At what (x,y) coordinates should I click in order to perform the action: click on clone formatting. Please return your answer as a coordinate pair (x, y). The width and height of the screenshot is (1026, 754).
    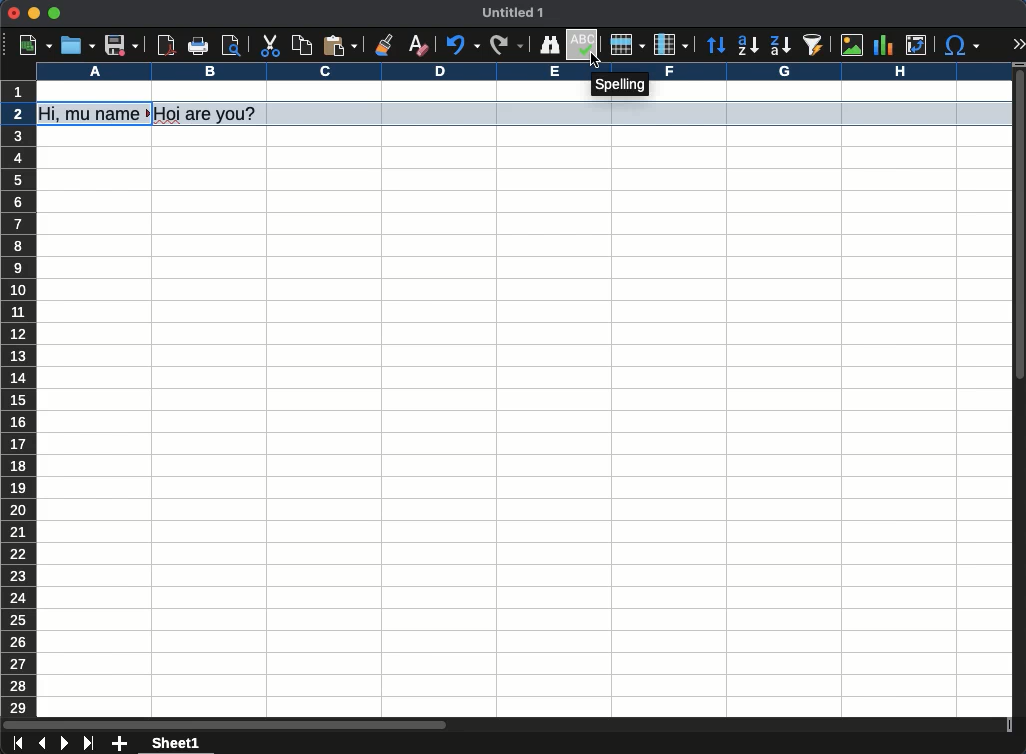
    Looking at the image, I should click on (382, 43).